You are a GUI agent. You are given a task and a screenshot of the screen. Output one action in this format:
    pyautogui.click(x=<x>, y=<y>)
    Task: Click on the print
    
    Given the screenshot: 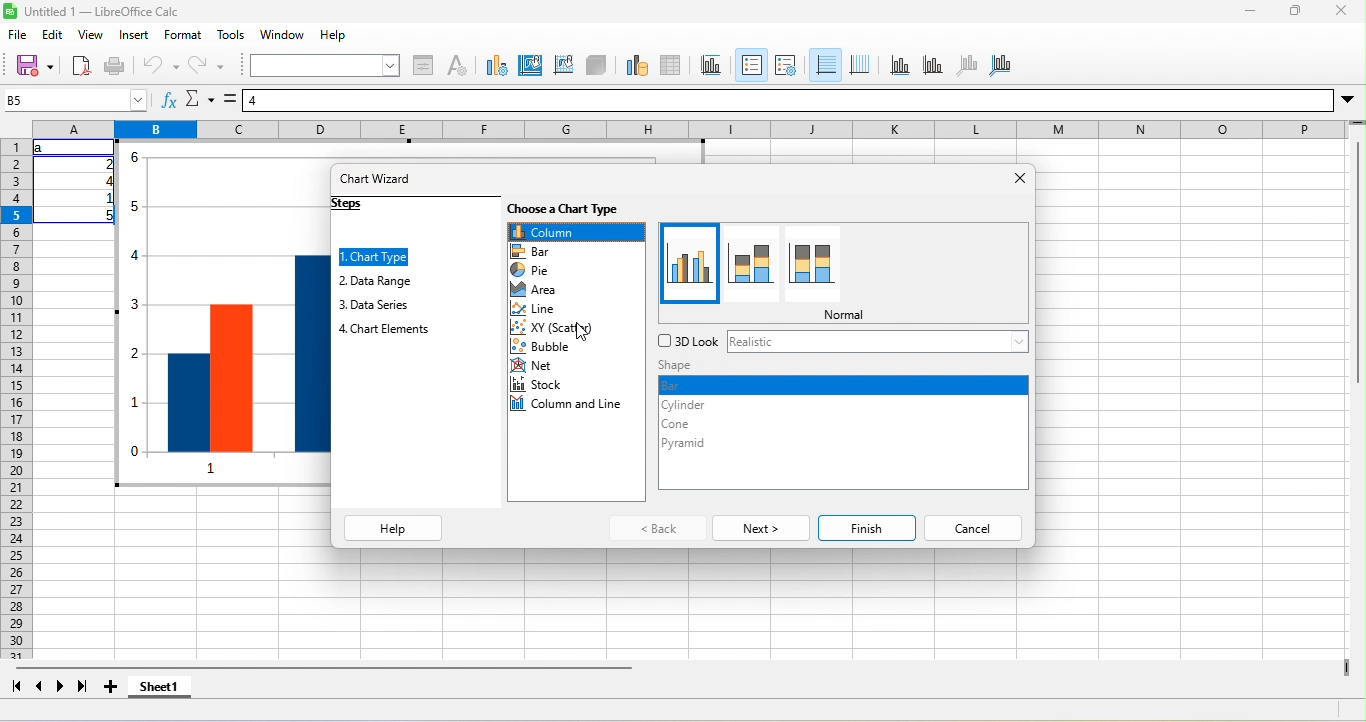 What is the action you would take?
    pyautogui.click(x=116, y=66)
    